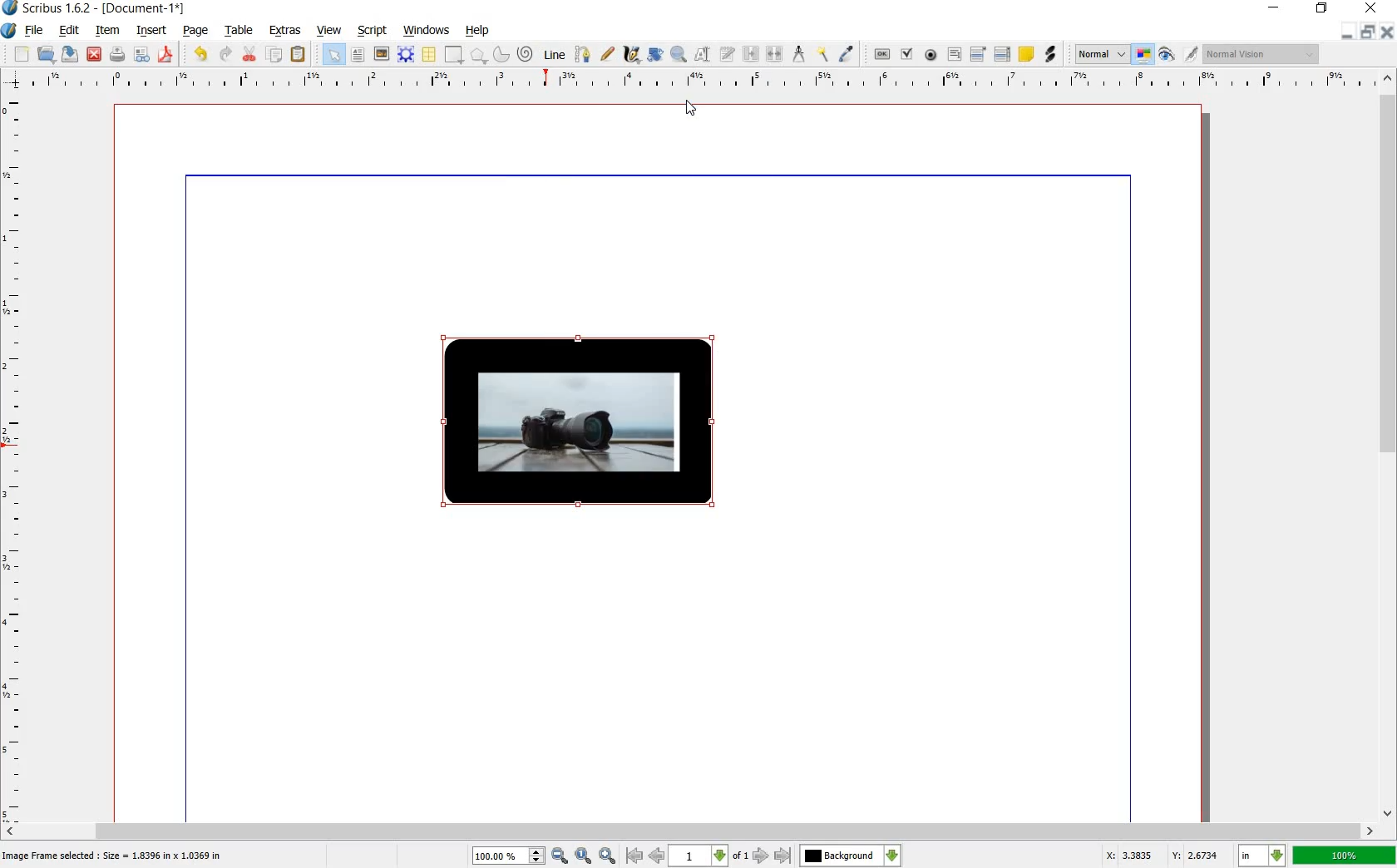  Describe the element at coordinates (1098, 52) in the screenshot. I see `select the image preview quality` at that location.